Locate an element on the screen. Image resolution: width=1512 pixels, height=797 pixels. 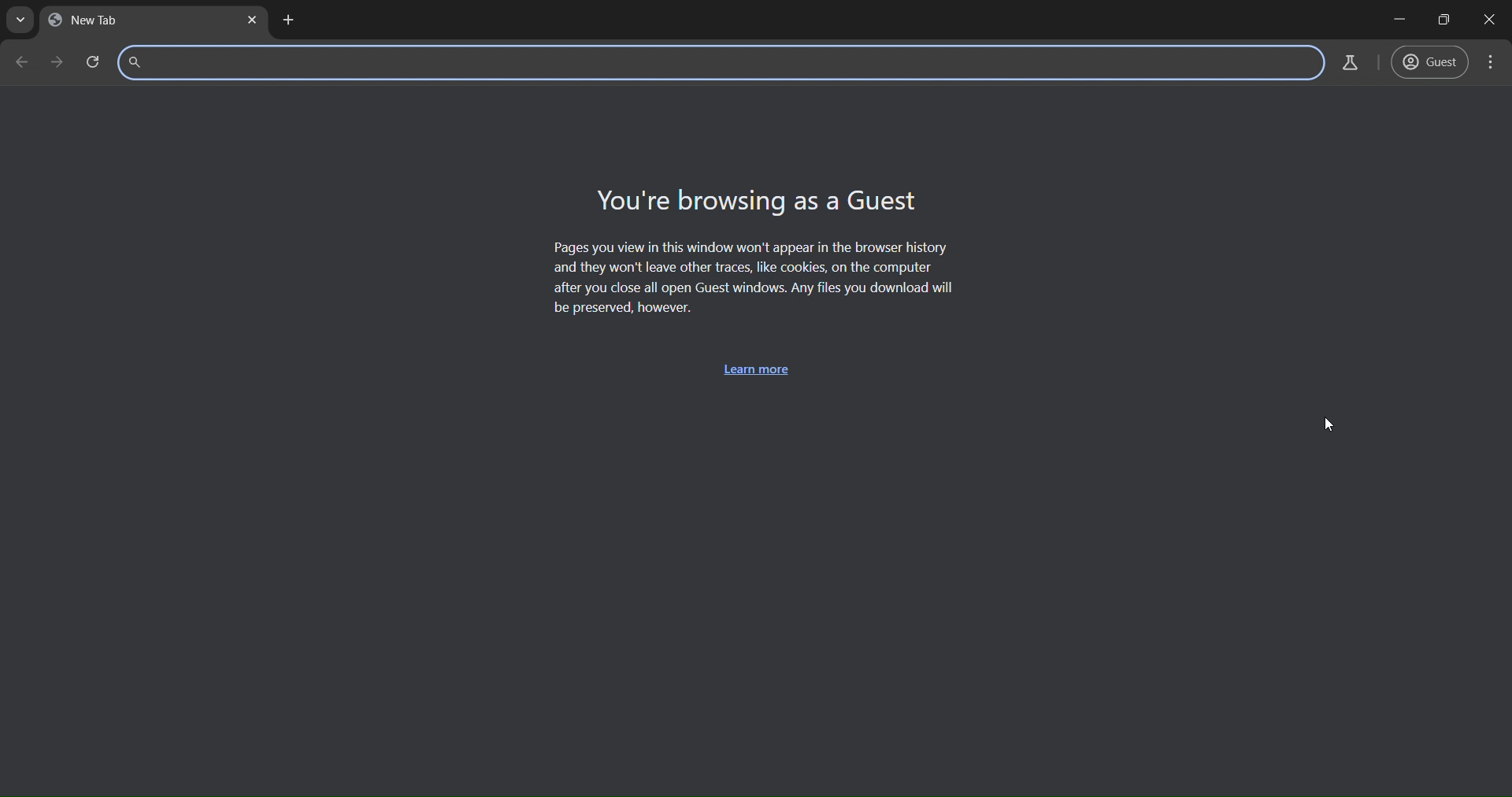
go back one page is located at coordinates (17, 63).